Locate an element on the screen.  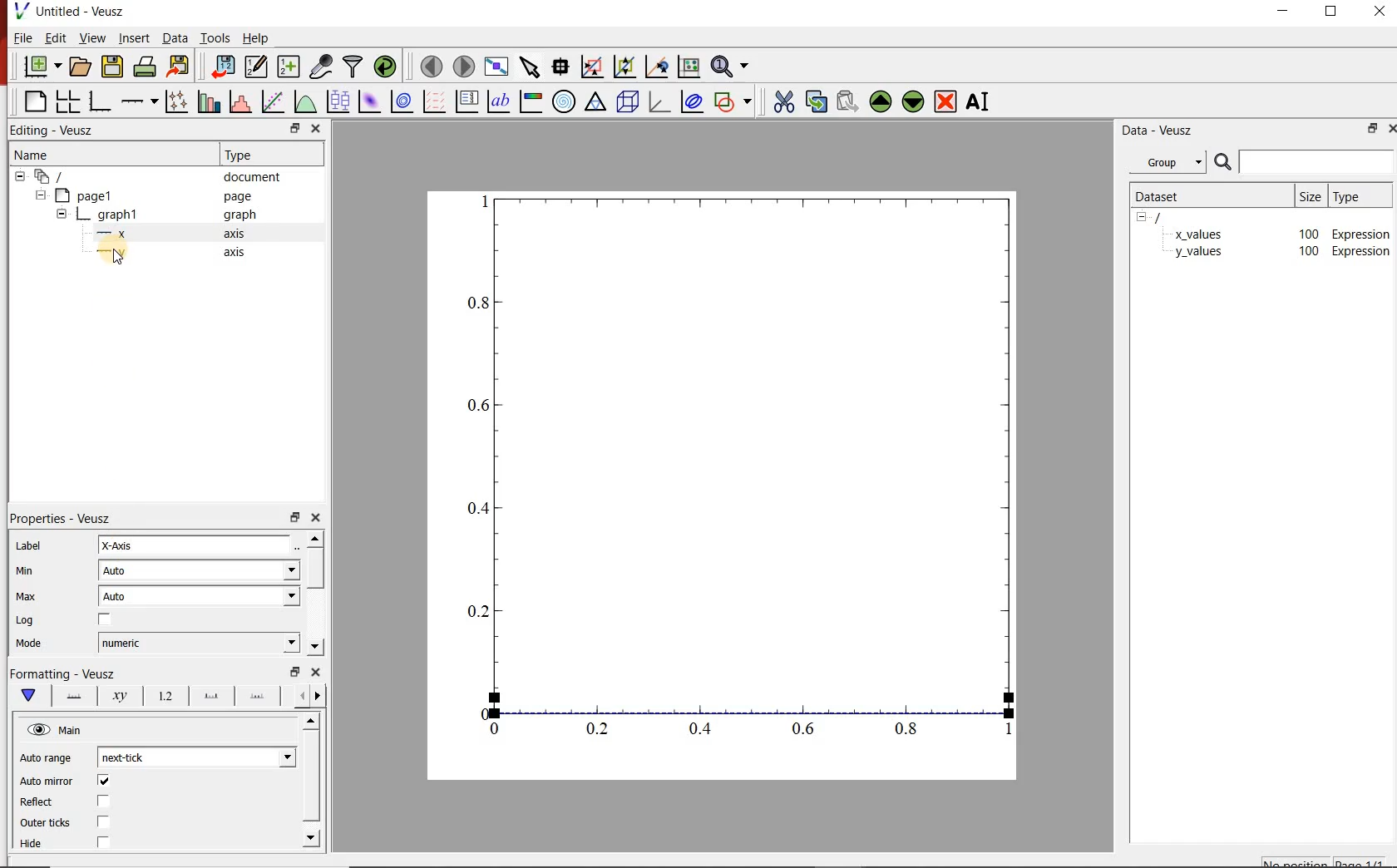
click to zoom out on graph axes is located at coordinates (622, 67).